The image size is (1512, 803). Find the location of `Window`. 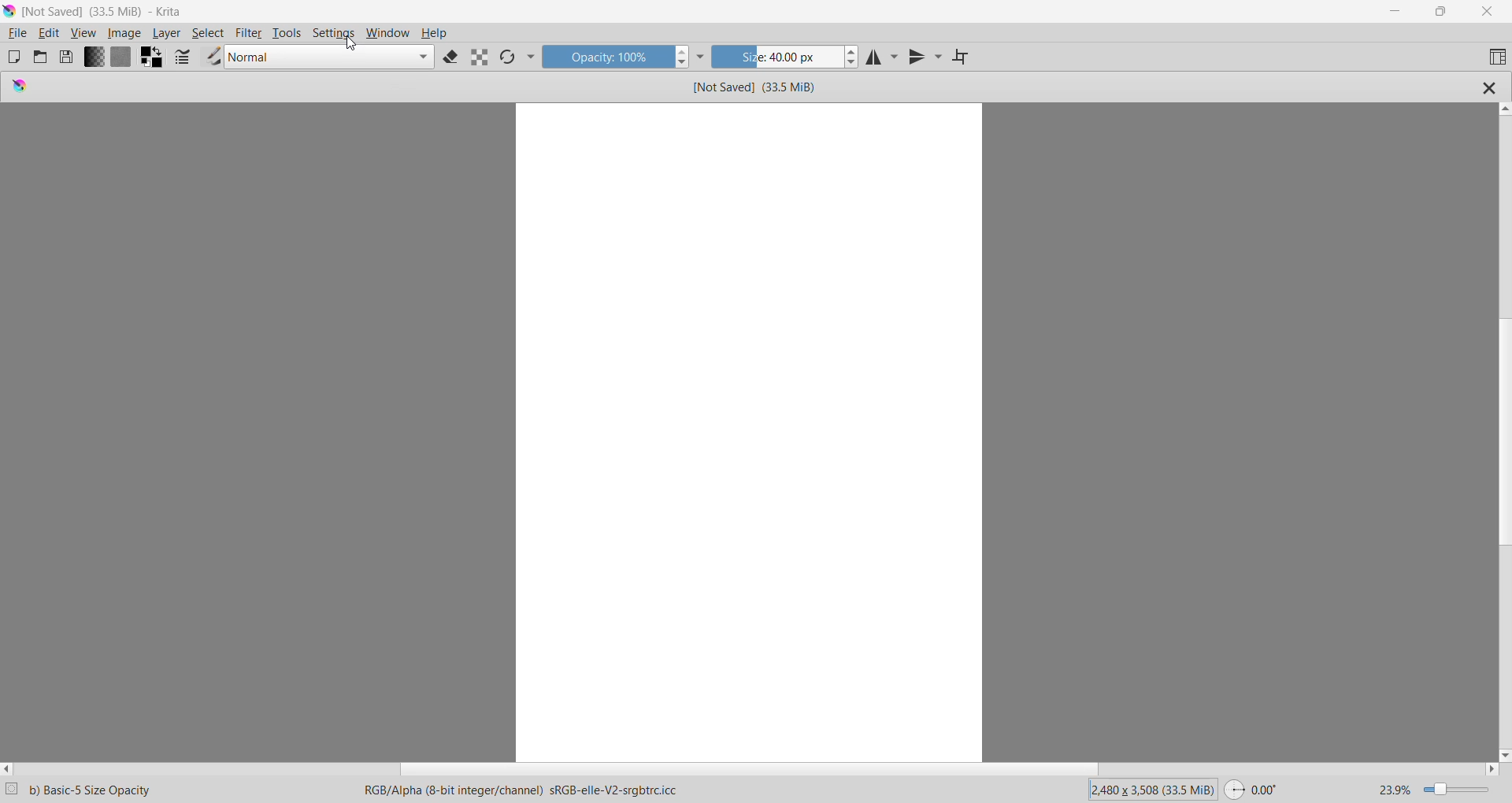

Window is located at coordinates (388, 33).